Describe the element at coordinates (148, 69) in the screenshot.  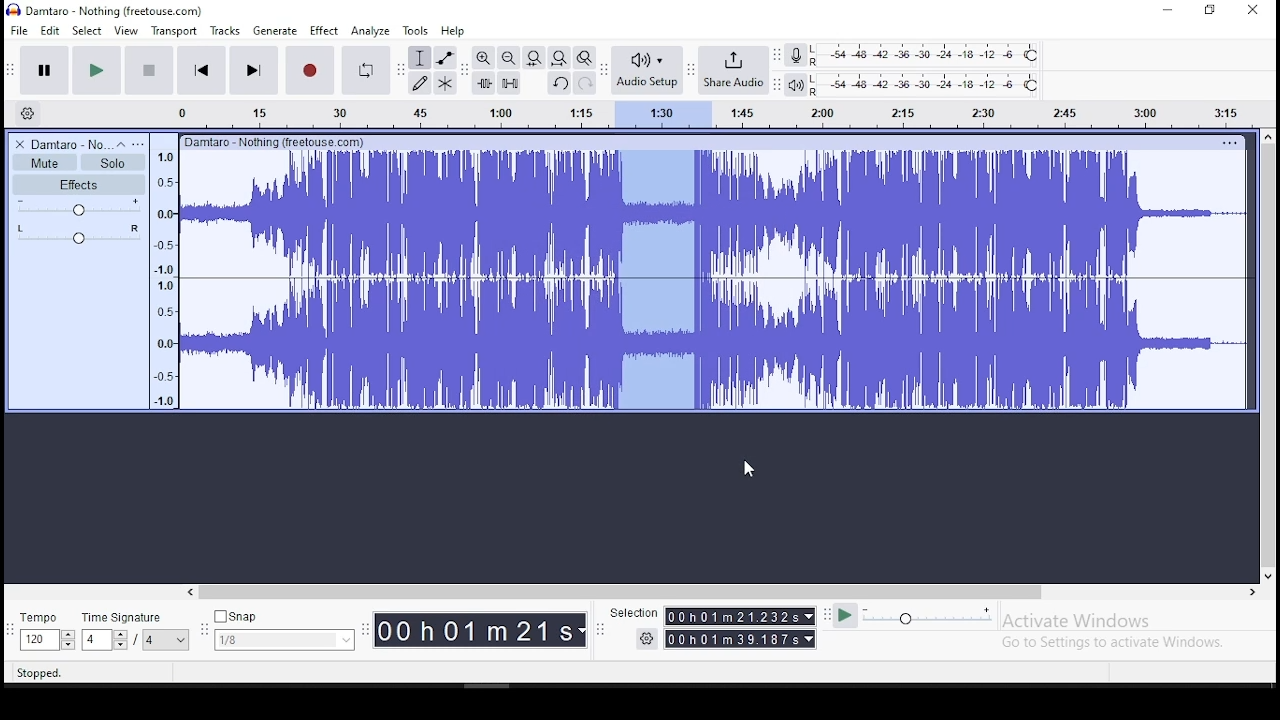
I see `stop` at that location.